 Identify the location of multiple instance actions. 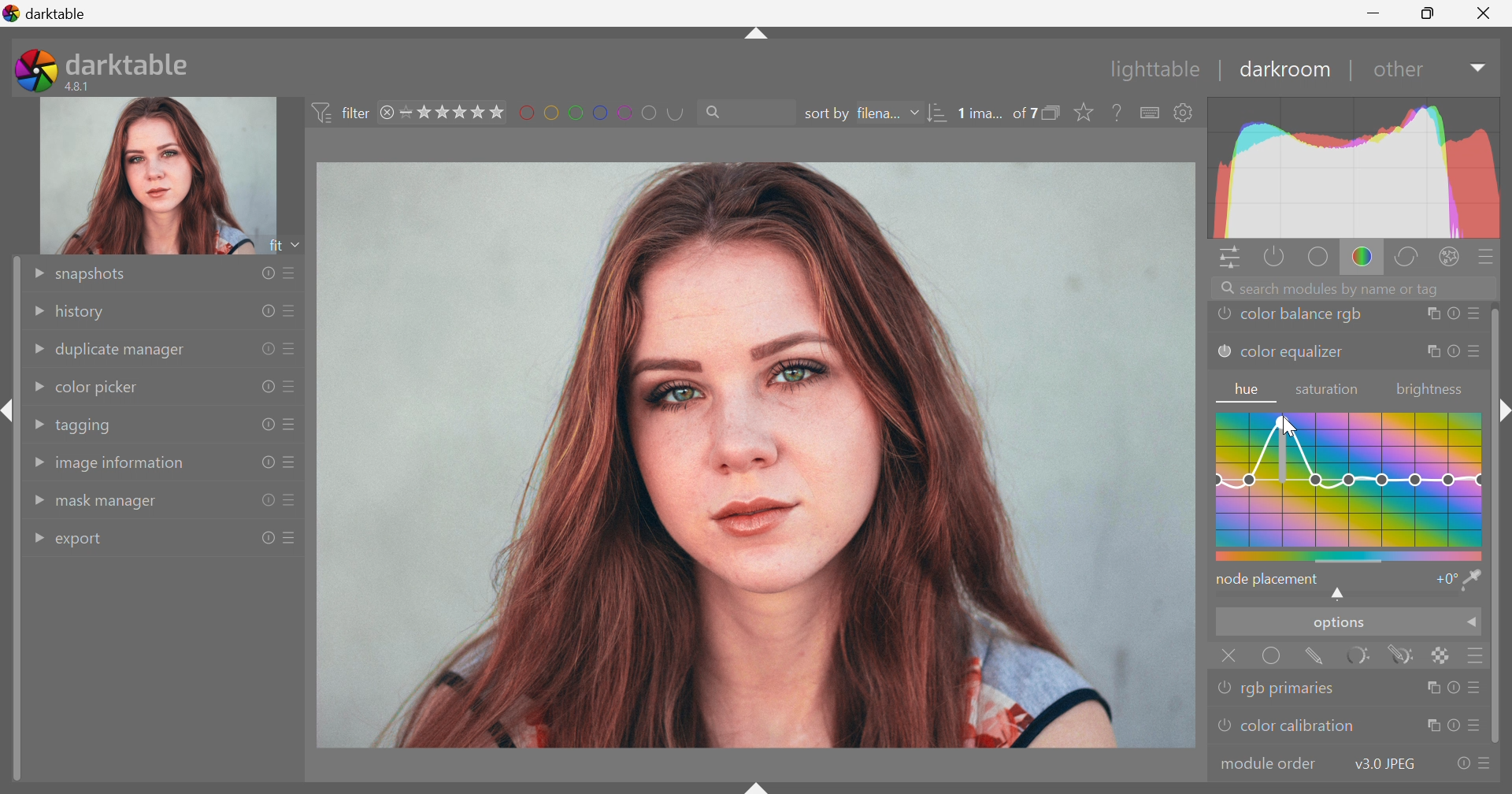
(1429, 688).